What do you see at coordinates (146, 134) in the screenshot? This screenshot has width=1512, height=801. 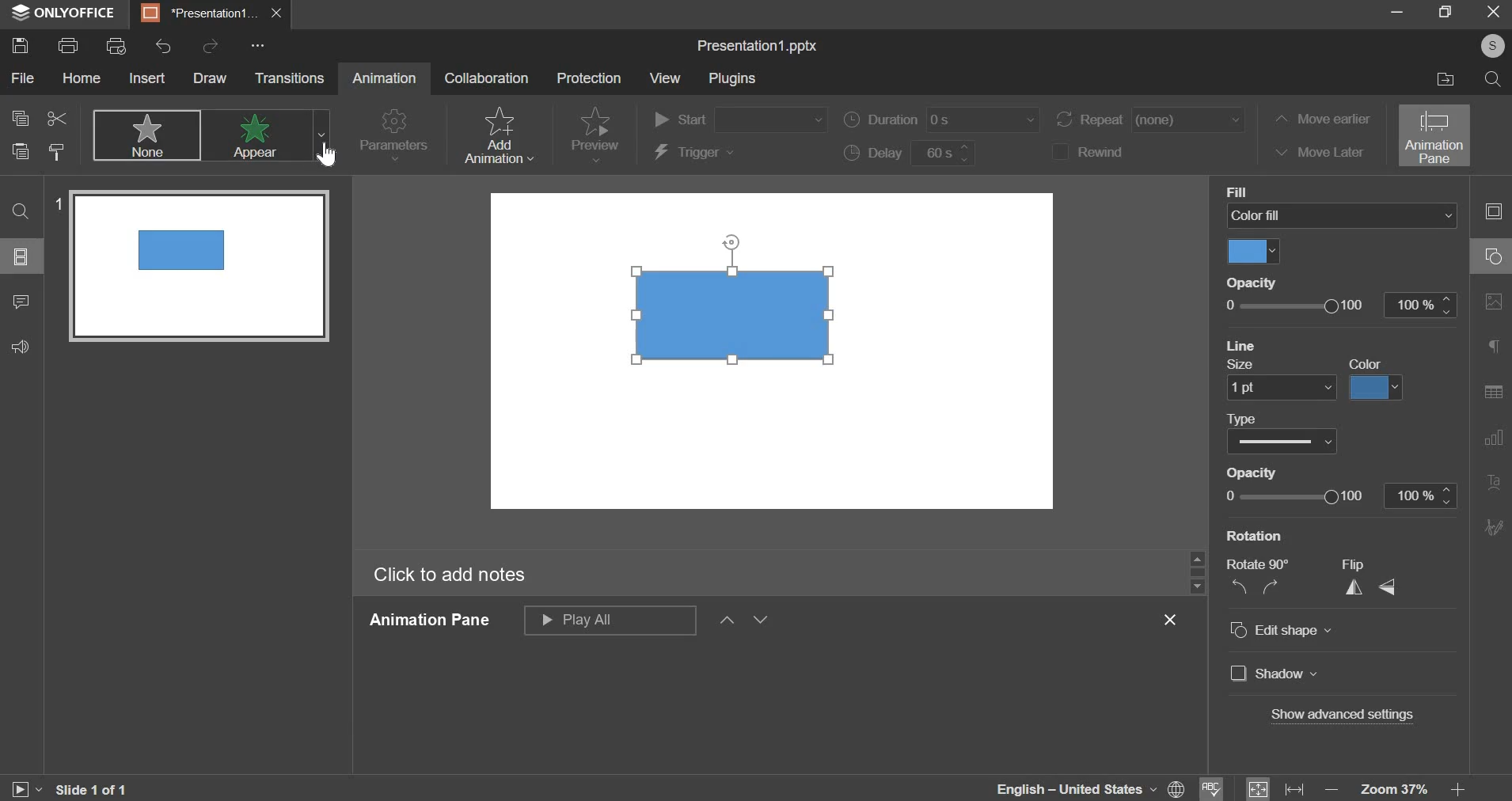 I see `none` at bounding box center [146, 134].